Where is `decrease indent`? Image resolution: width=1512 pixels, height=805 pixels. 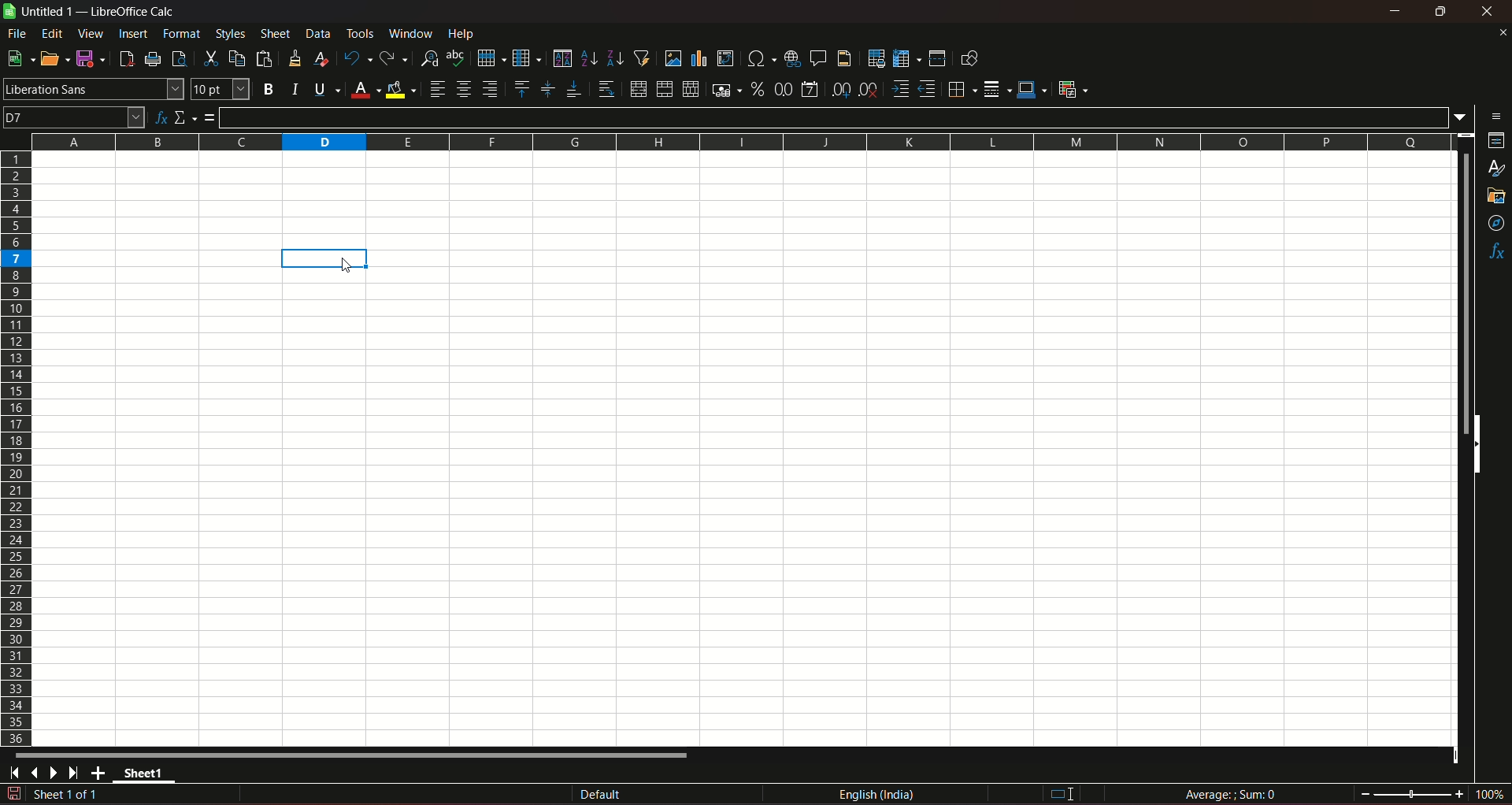 decrease indent is located at coordinates (927, 89).